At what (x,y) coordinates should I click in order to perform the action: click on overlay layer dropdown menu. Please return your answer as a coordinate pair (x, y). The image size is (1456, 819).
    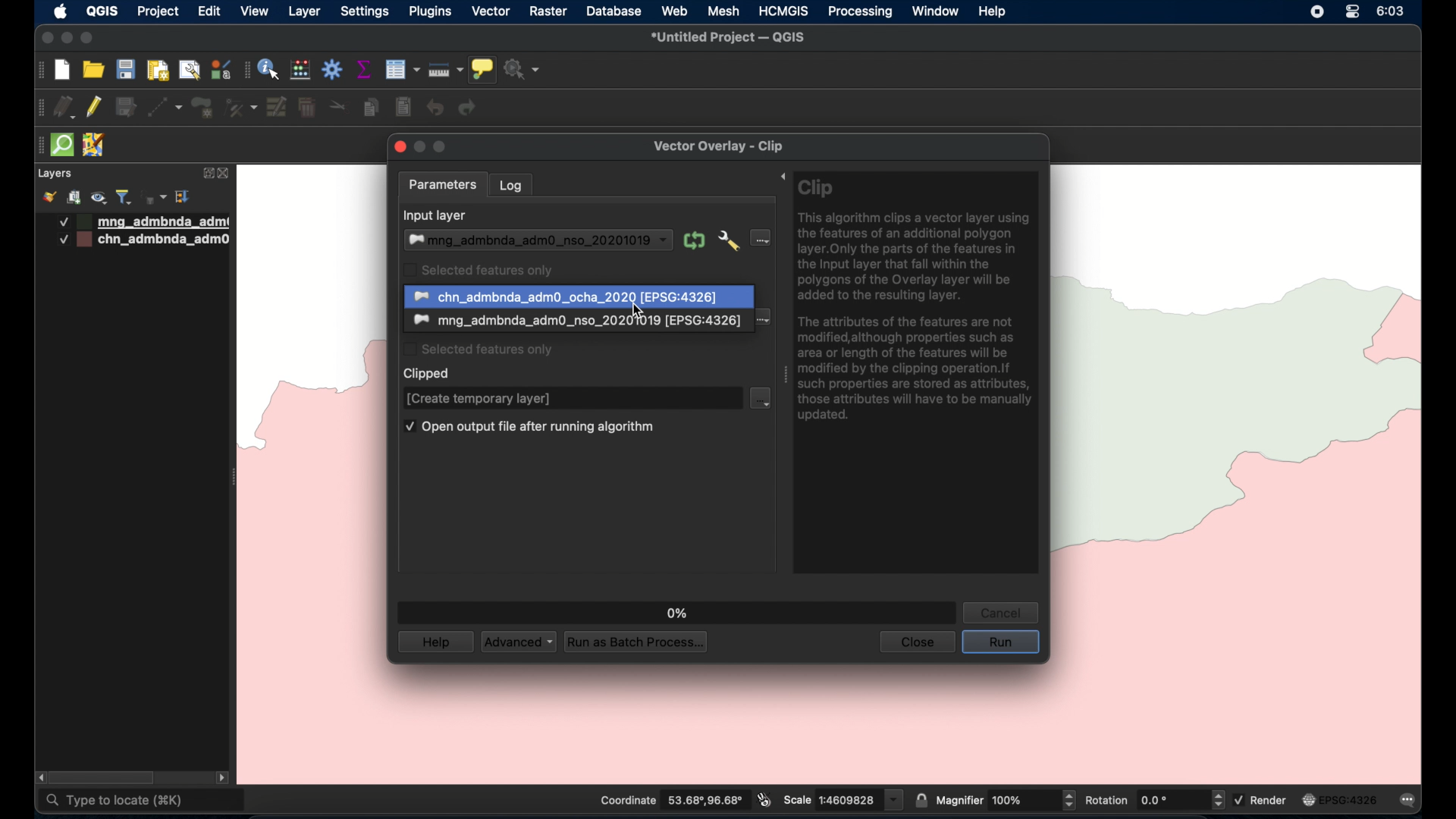
    Looking at the image, I should click on (764, 320).